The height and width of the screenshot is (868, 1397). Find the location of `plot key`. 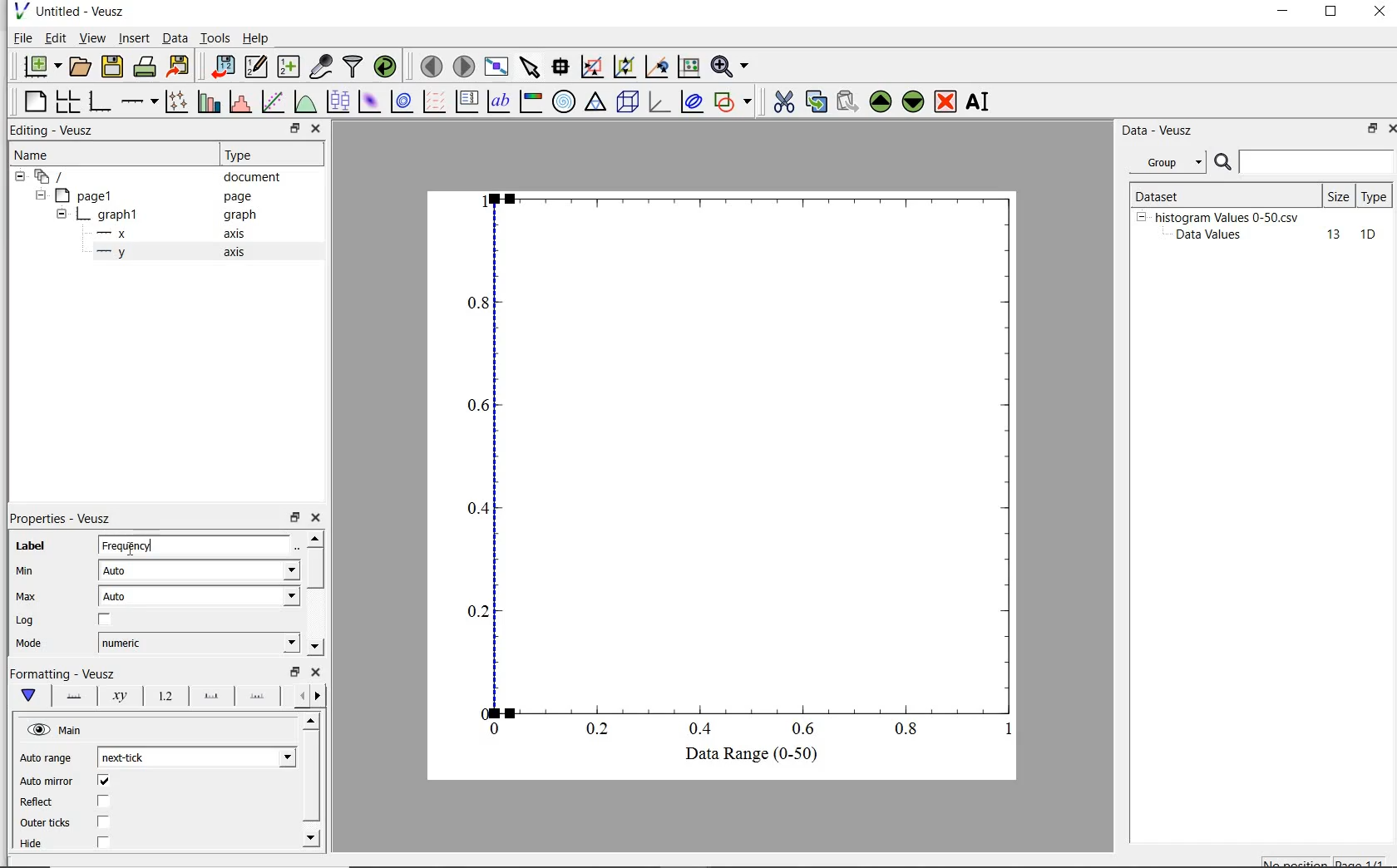

plot key is located at coordinates (466, 101).